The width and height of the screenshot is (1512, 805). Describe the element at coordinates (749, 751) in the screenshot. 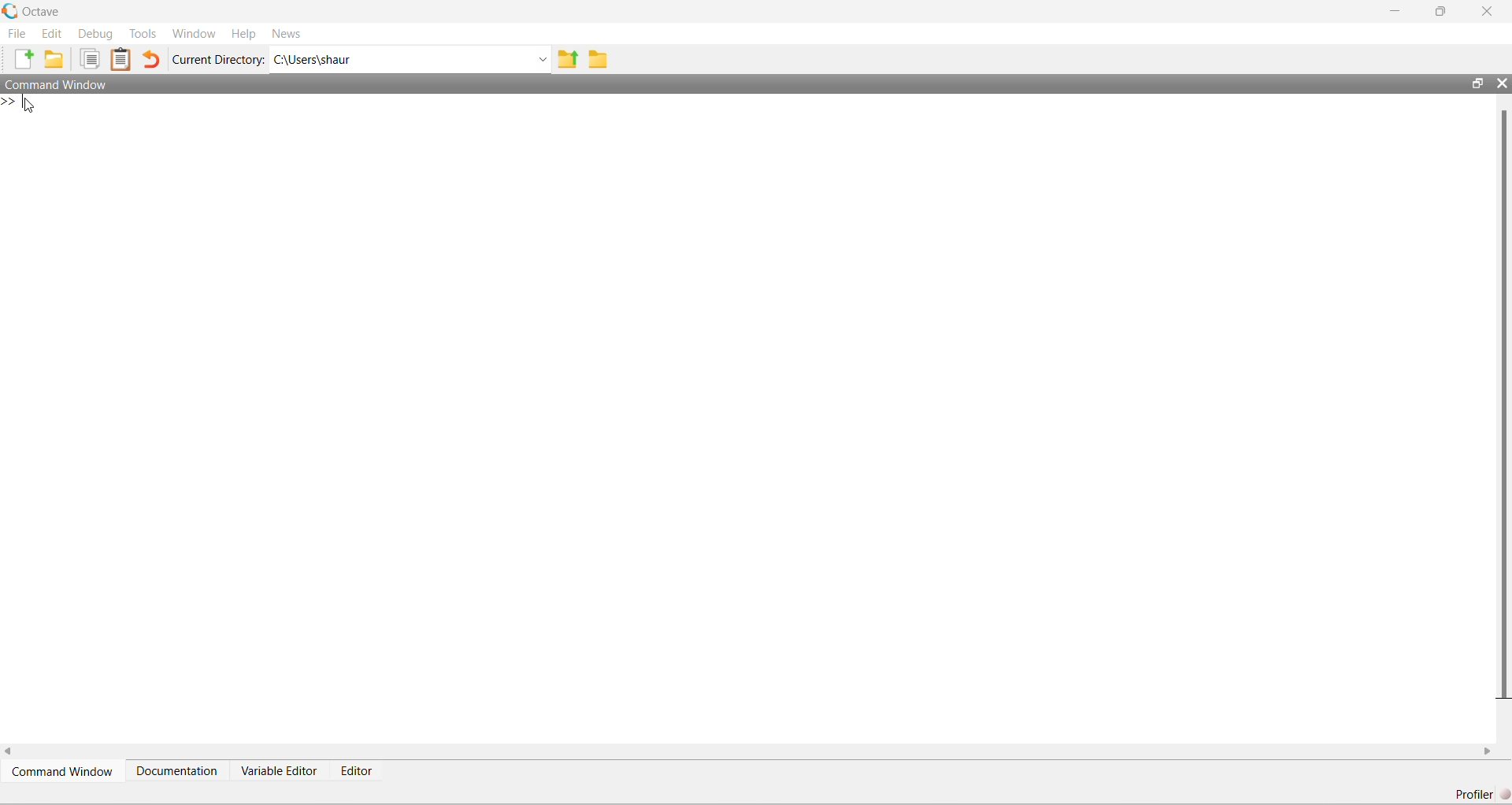

I see `horizontal scroll bar` at that location.